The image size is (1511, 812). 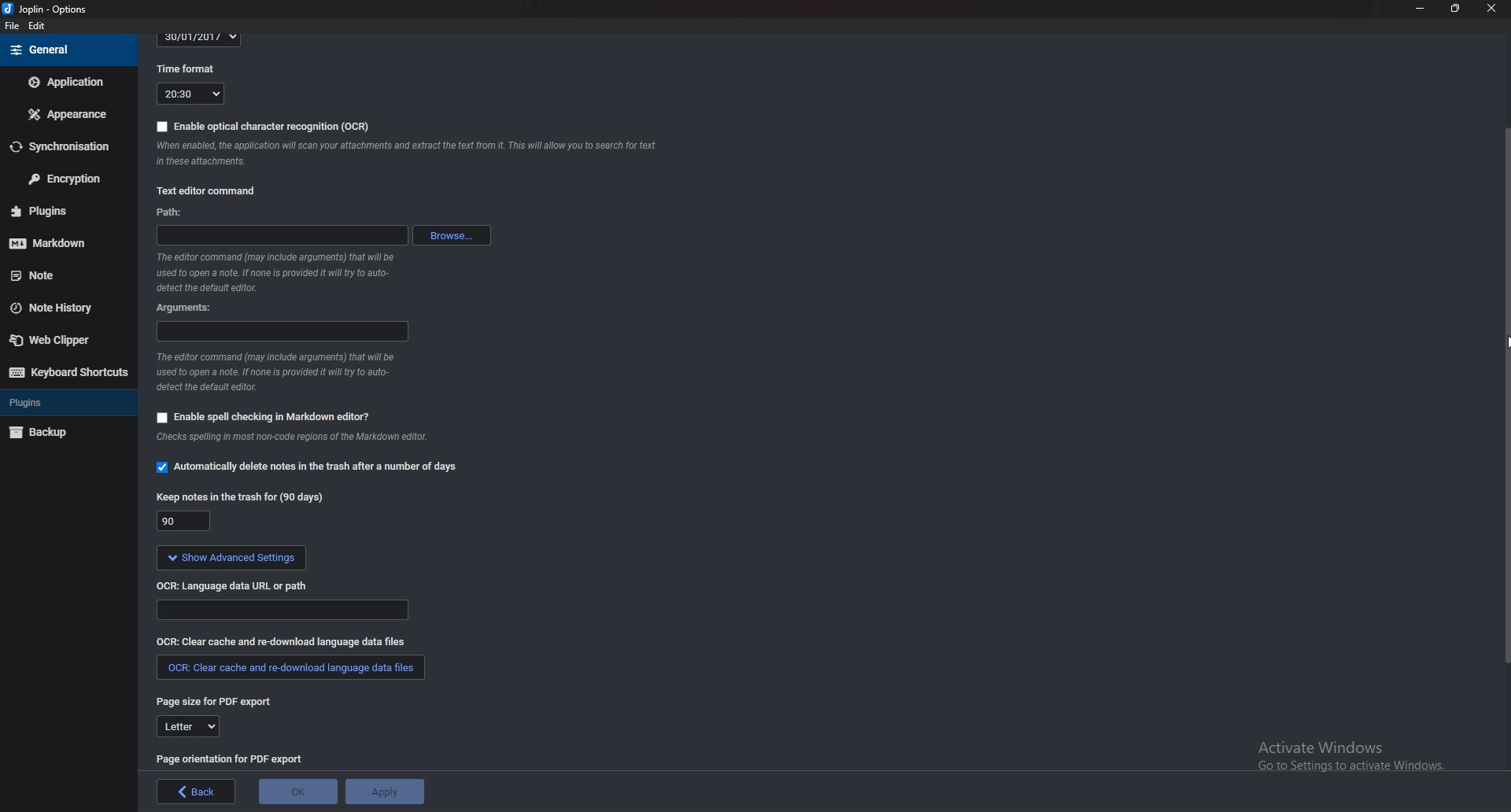 What do you see at coordinates (217, 188) in the screenshot?
I see `Text editor command` at bounding box center [217, 188].